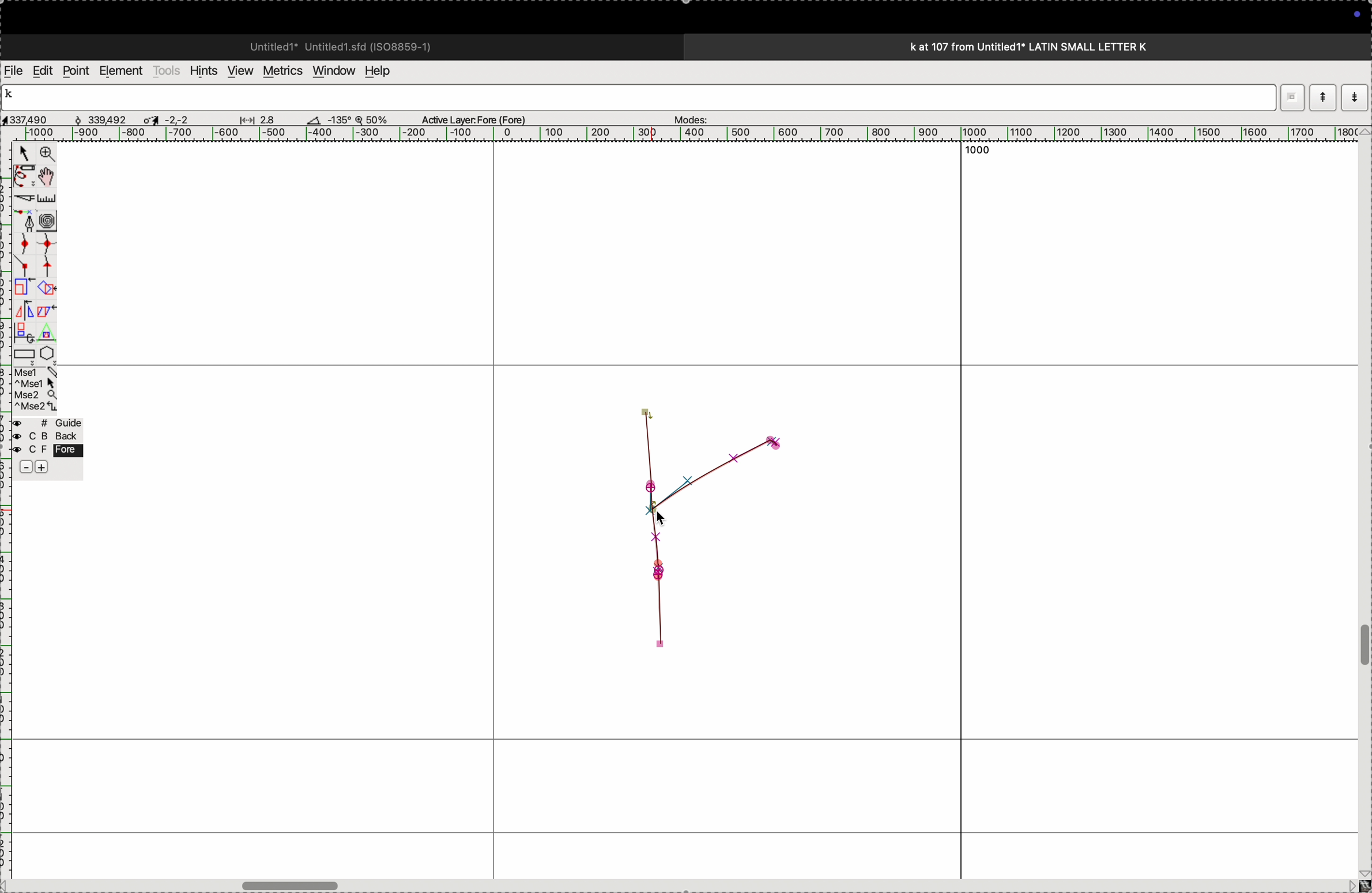 The height and width of the screenshot is (893, 1372). Describe the element at coordinates (47, 446) in the screenshot. I see `Guide` at that location.